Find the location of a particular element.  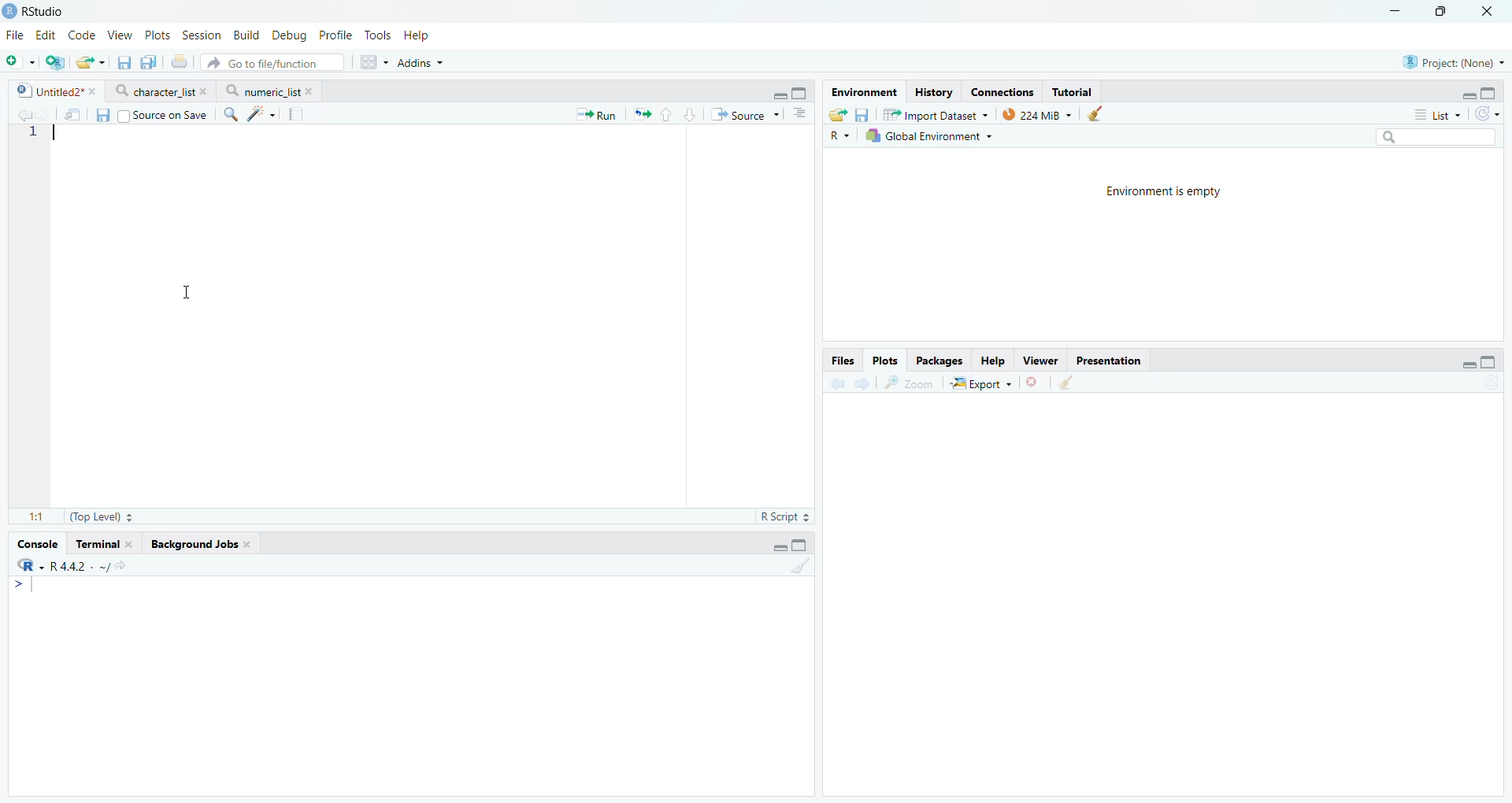

Project: (None) is located at coordinates (1451, 61).